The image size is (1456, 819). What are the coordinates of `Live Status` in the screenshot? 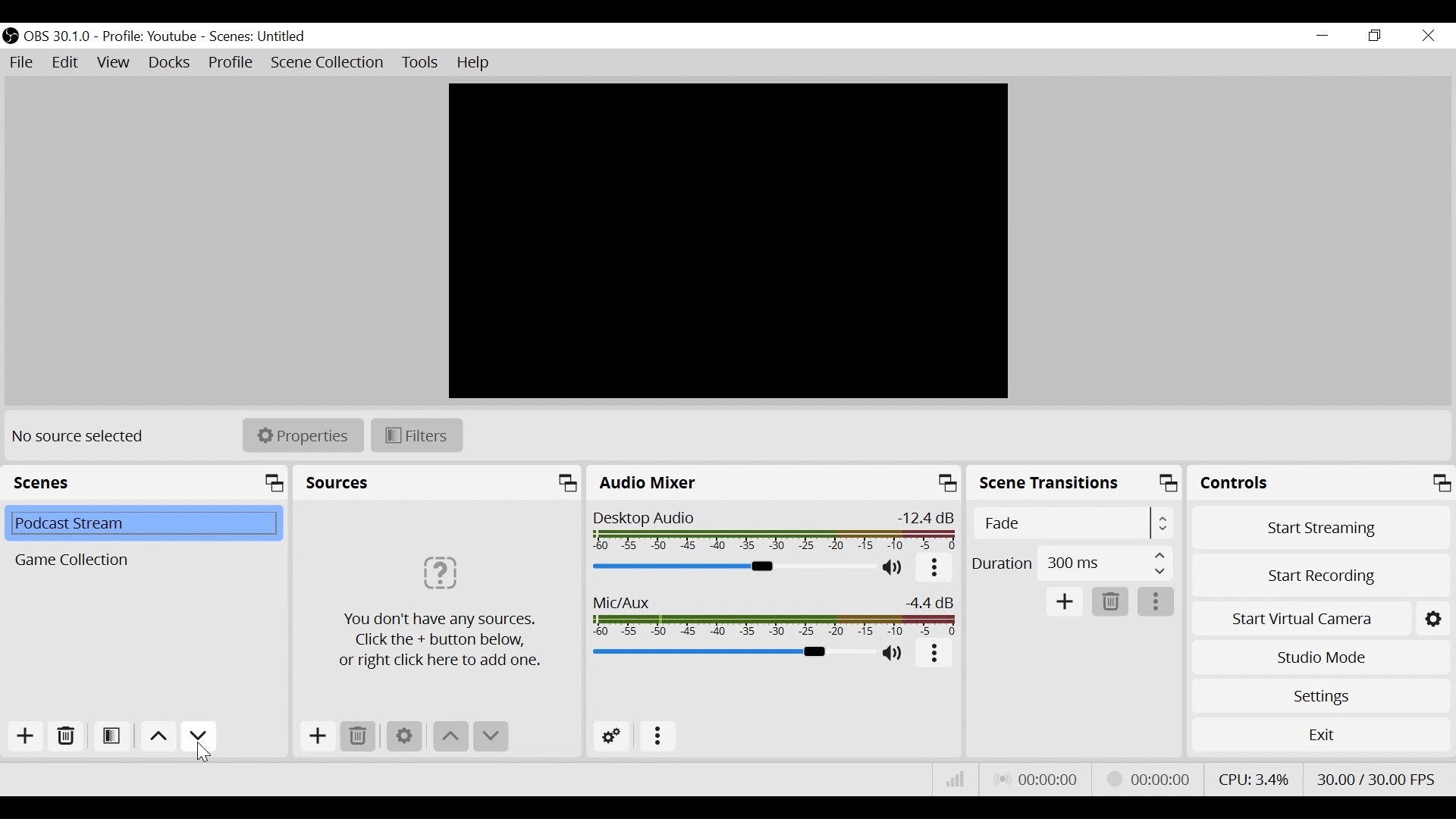 It's located at (1035, 777).